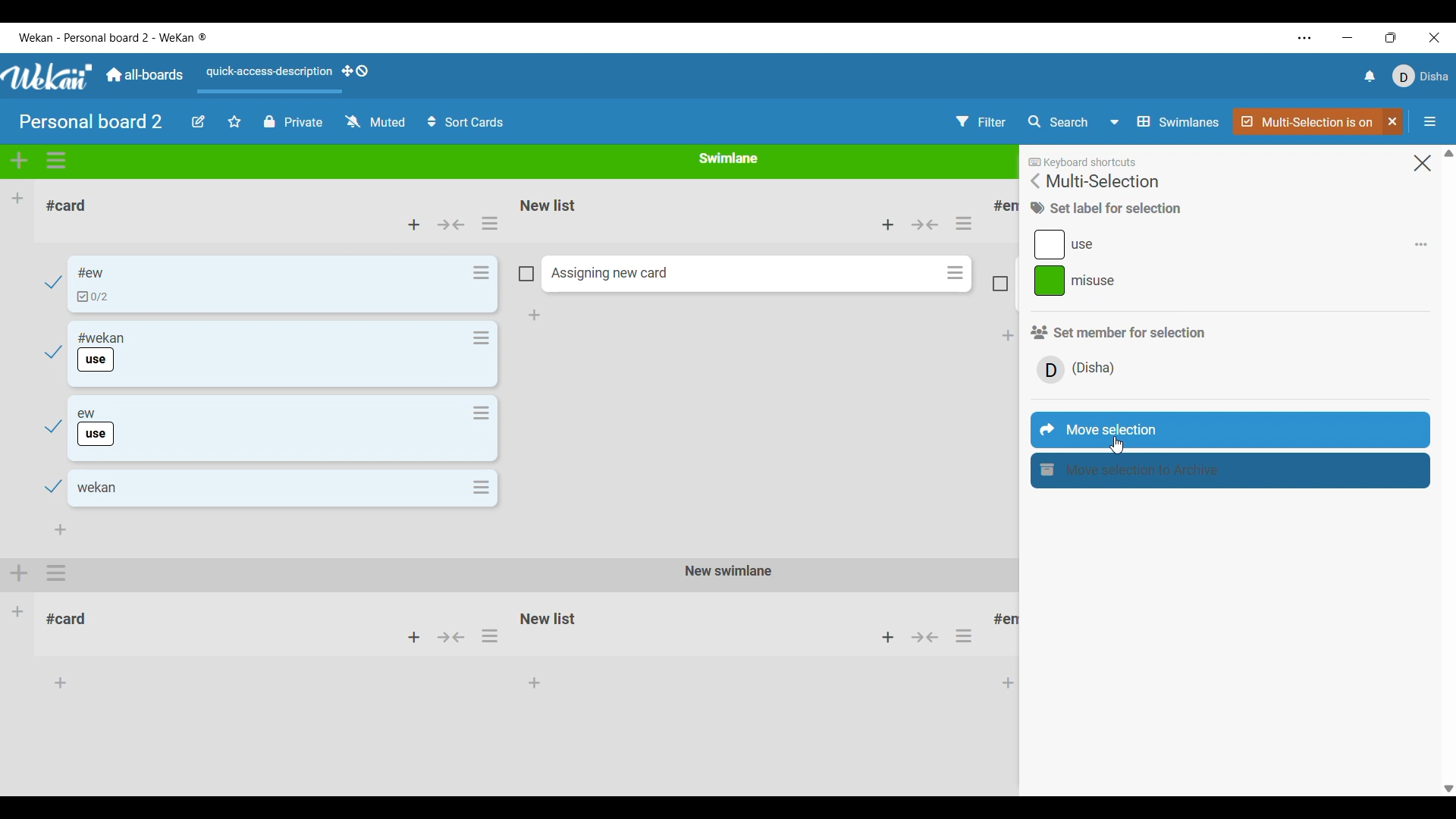 The width and height of the screenshot is (1456, 819). What do you see at coordinates (17, 199) in the screenshot?
I see `Add list` at bounding box center [17, 199].